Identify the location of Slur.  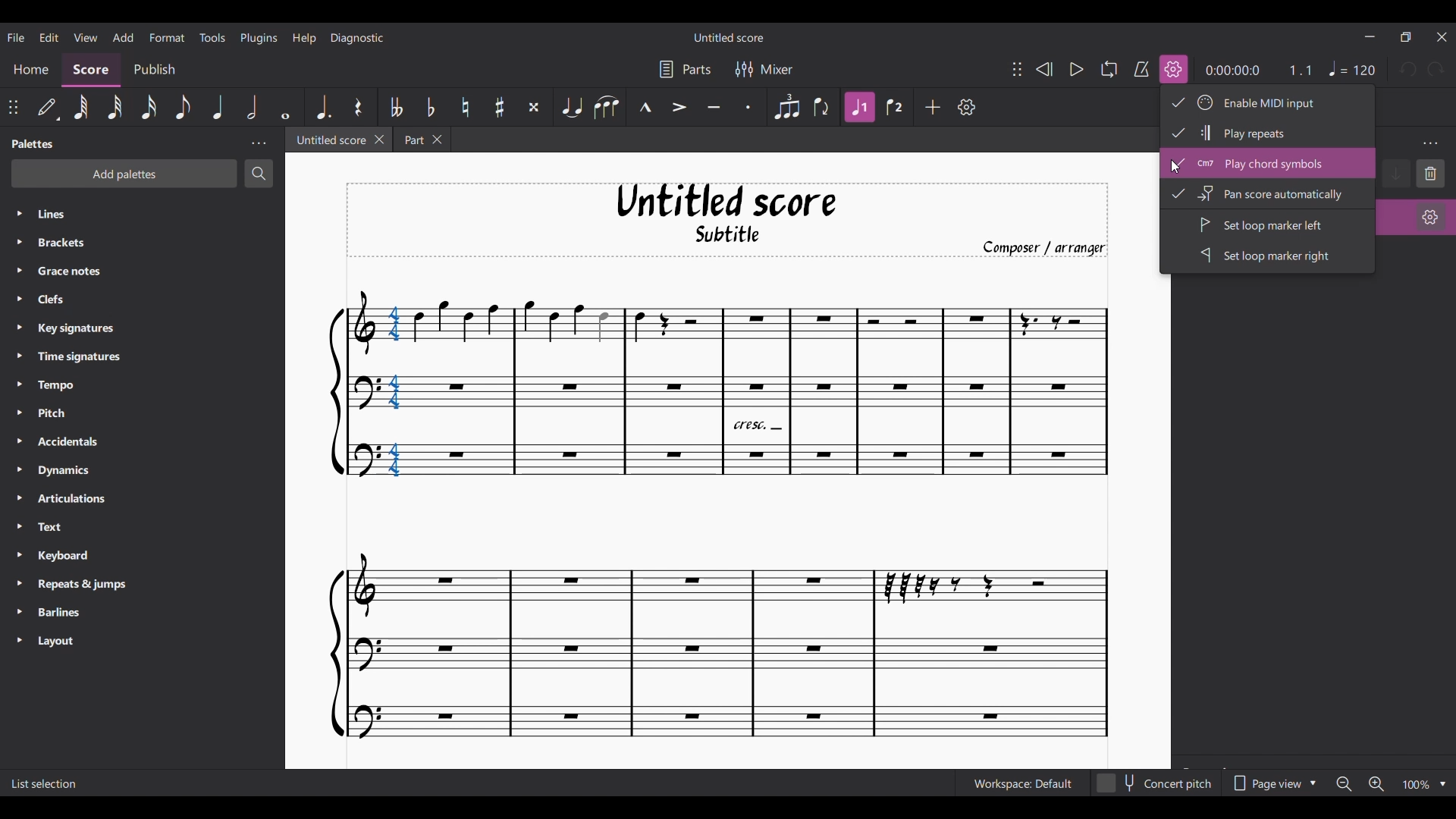
(607, 108).